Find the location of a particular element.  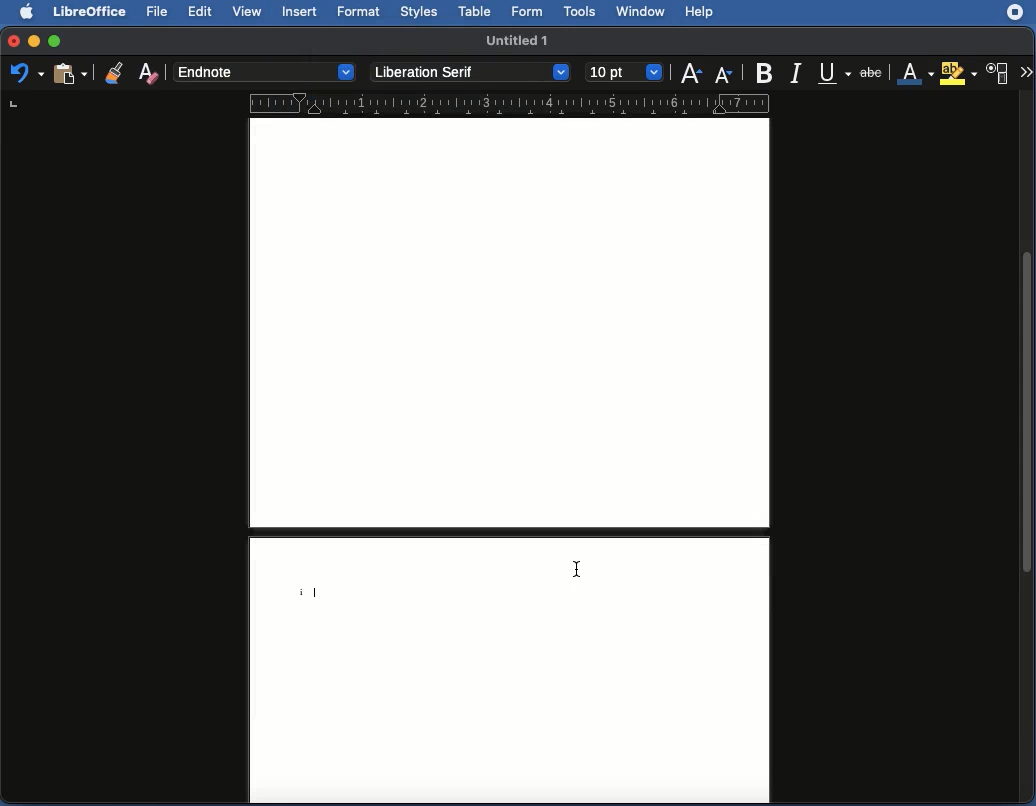

cursor is located at coordinates (576, 572).